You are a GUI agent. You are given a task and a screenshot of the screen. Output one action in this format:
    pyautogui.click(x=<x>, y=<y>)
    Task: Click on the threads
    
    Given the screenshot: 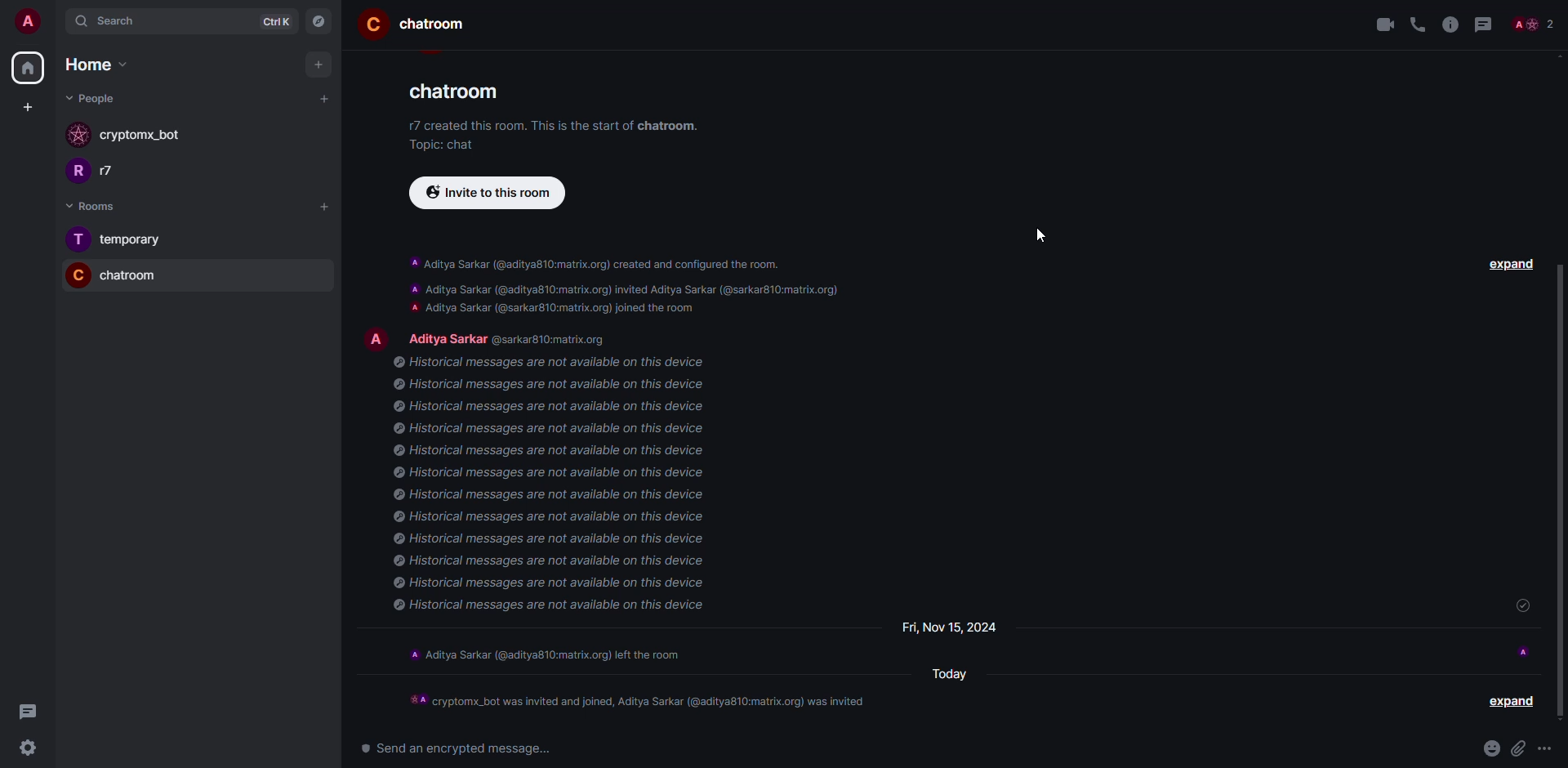 What is the action you would take?
    pyautogui.click(x=24, y=712)
    